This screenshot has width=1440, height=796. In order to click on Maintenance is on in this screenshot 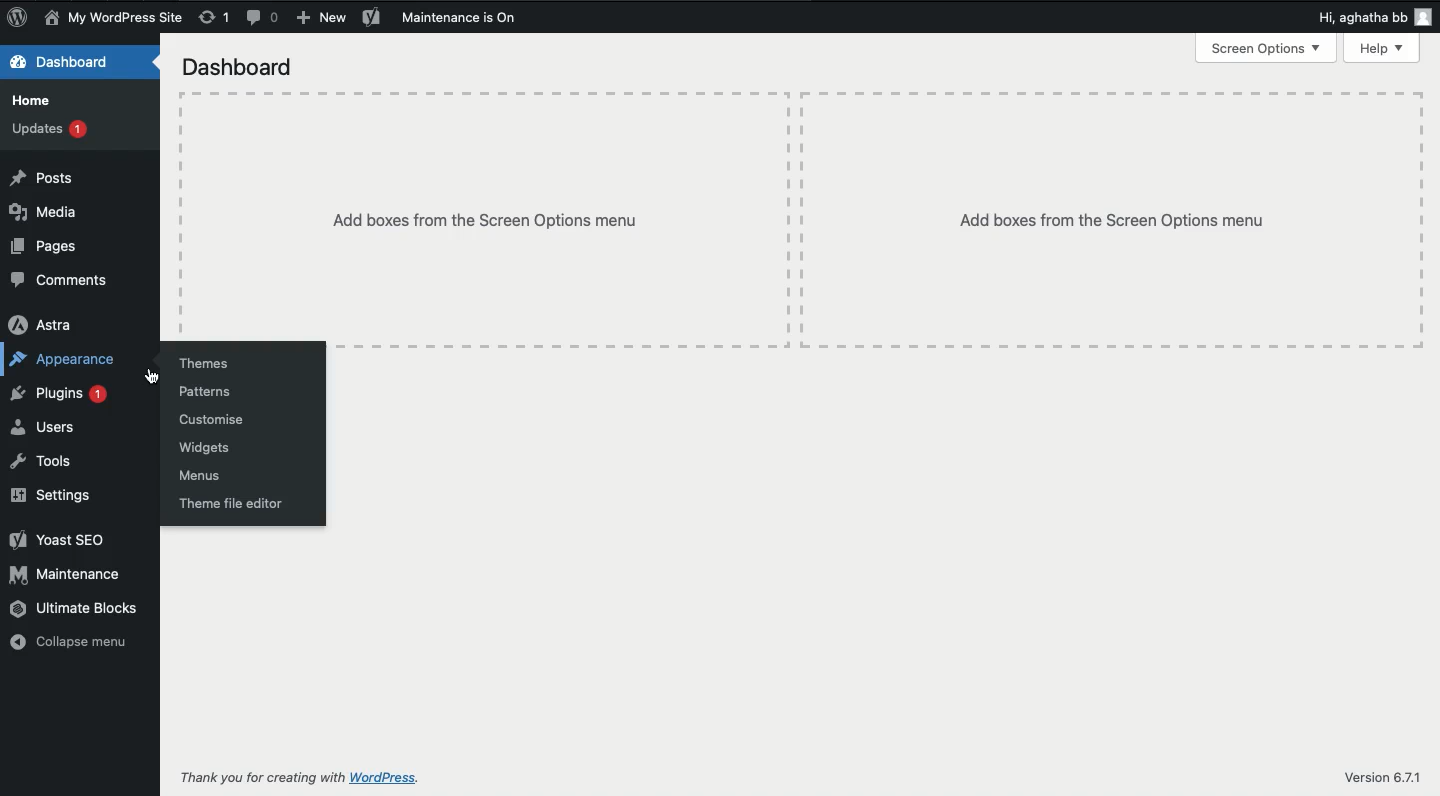, I will do `click(462, 16)`.